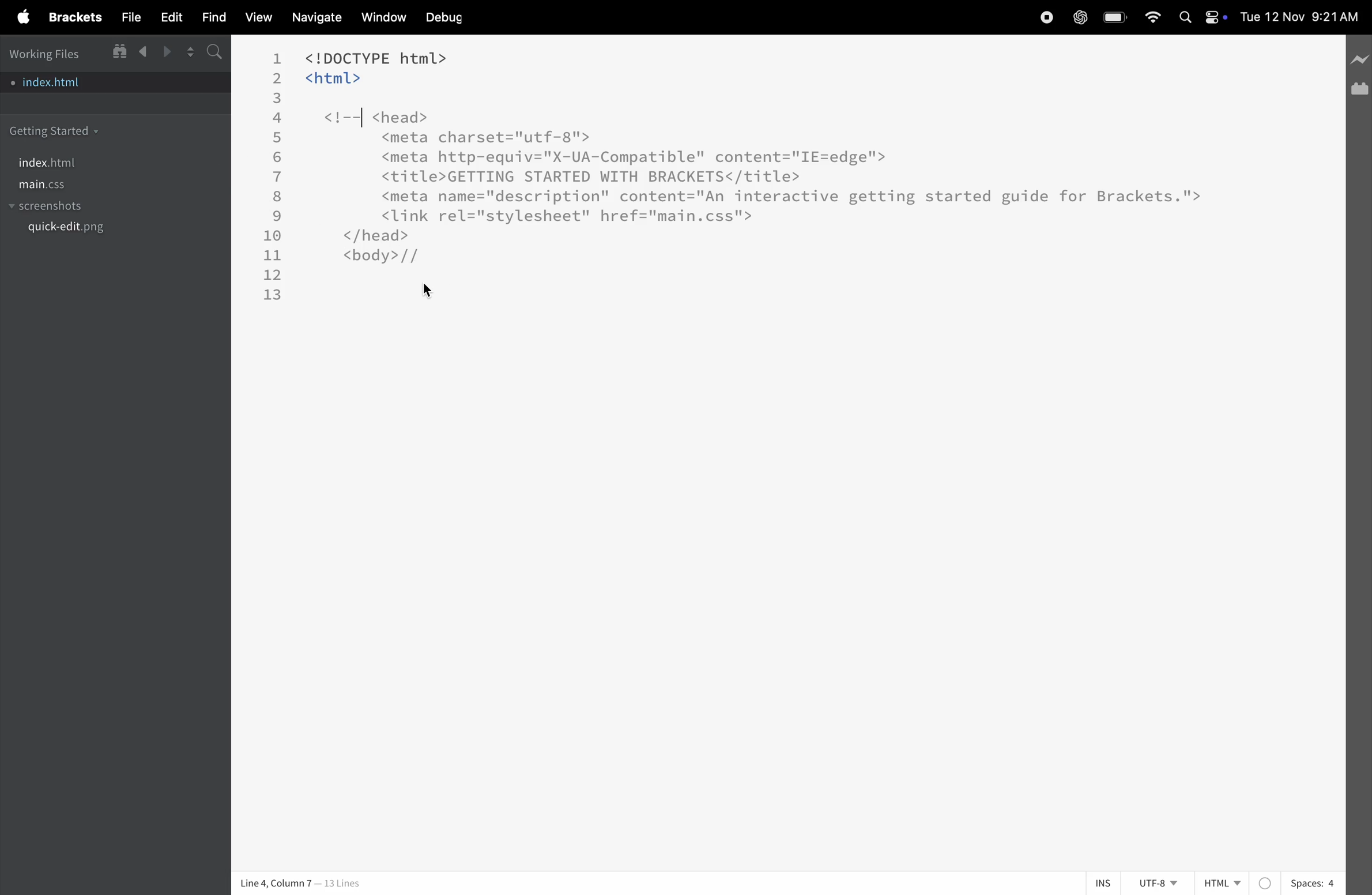  I want to click on index.html, so click(91, 78).